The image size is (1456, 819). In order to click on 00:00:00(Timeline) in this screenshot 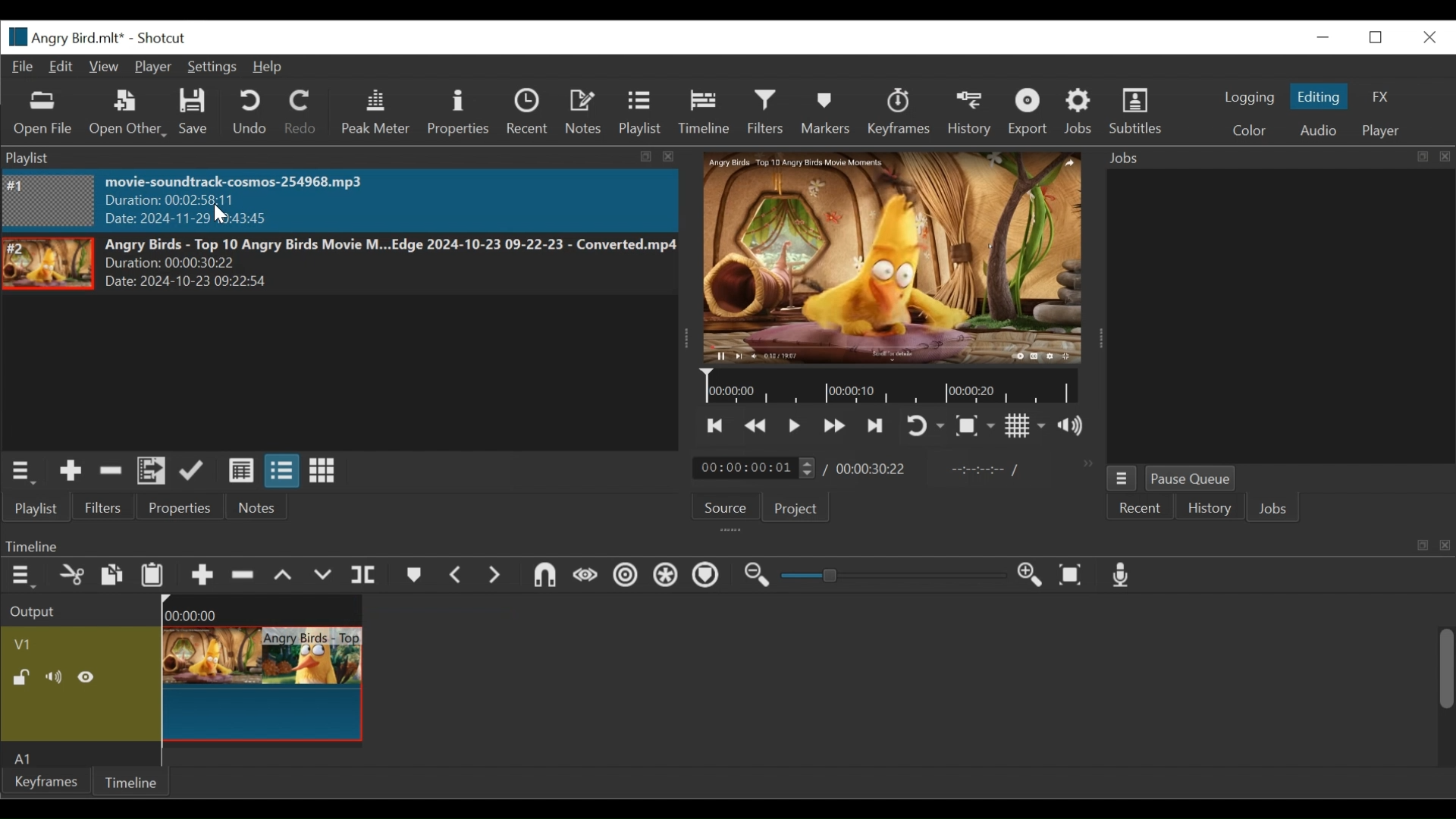, I will do `click(267, 610)`.